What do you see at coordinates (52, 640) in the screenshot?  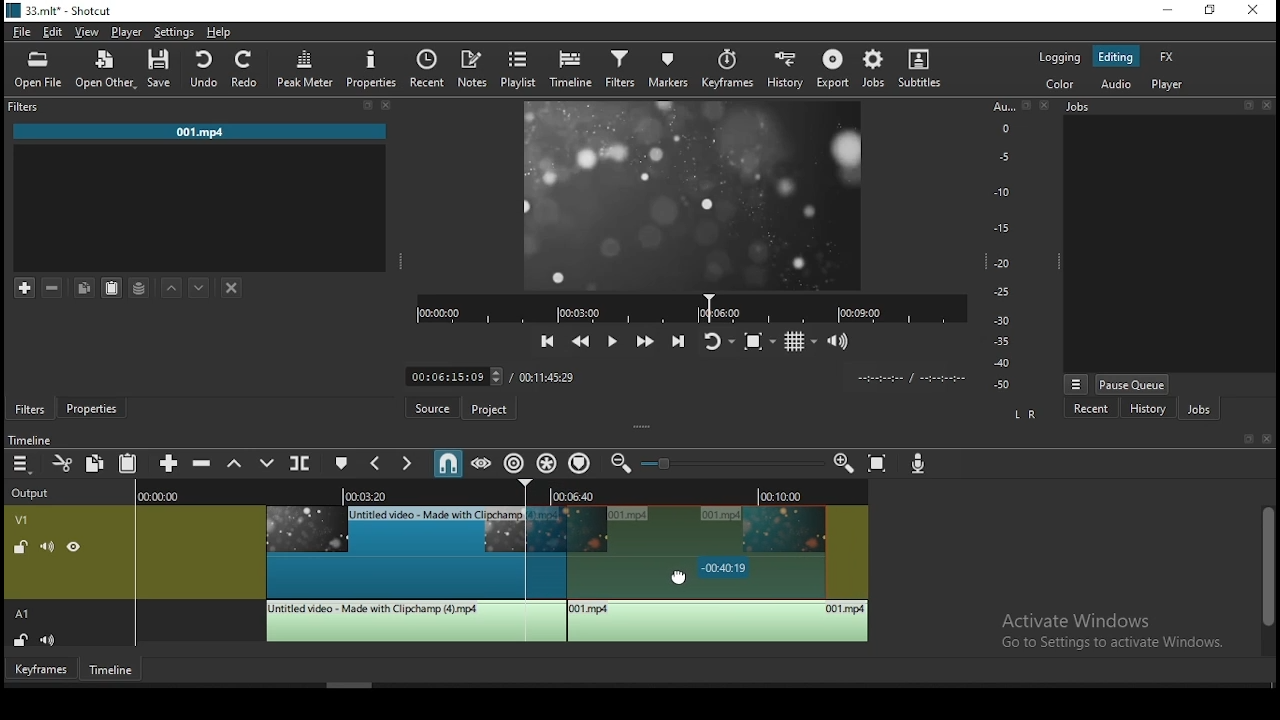 I see `(un)mute` at bounding box center [52, 640].